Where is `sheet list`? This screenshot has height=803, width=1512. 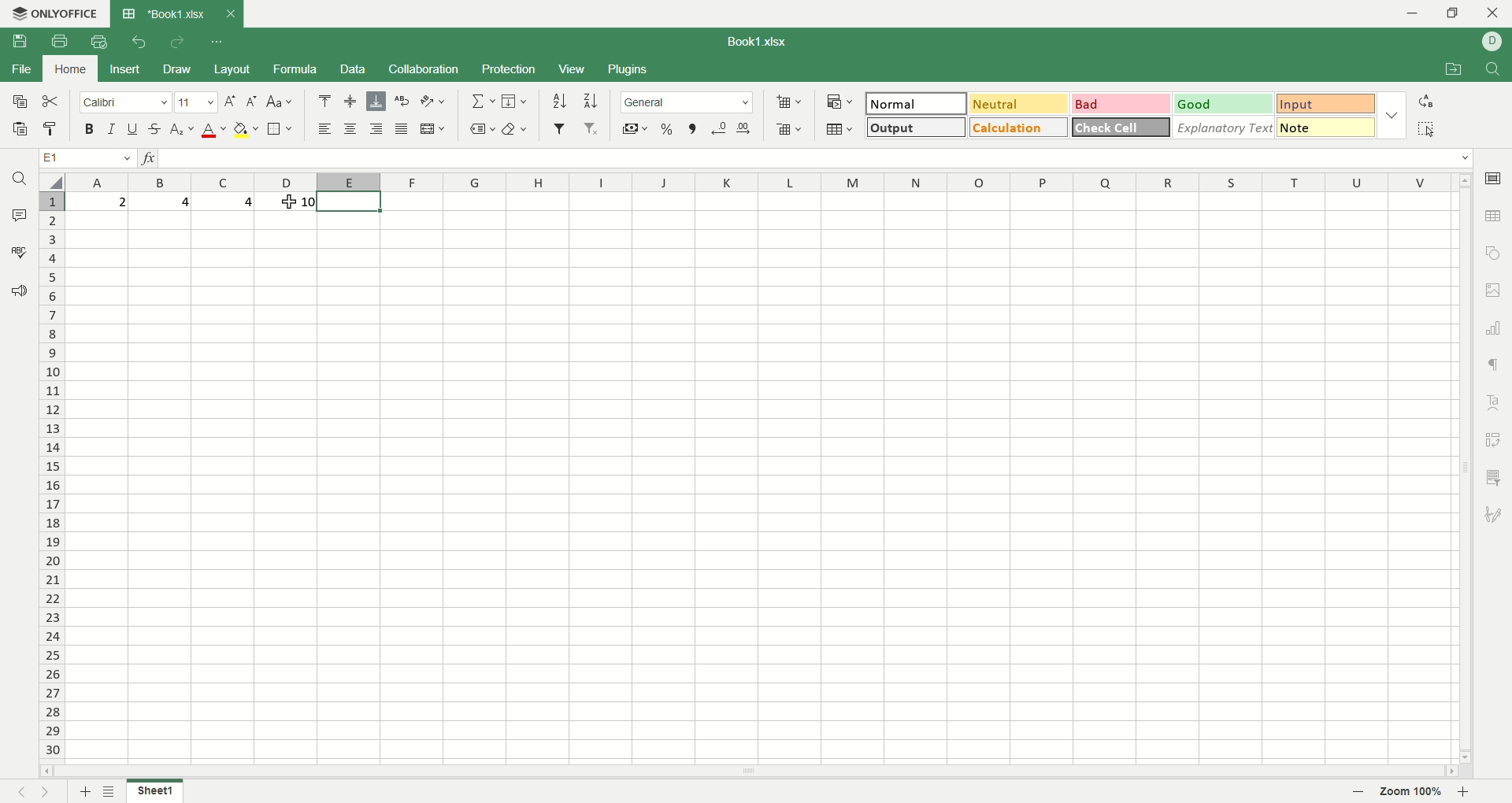
sheet list is located at coordinates (111, 791).